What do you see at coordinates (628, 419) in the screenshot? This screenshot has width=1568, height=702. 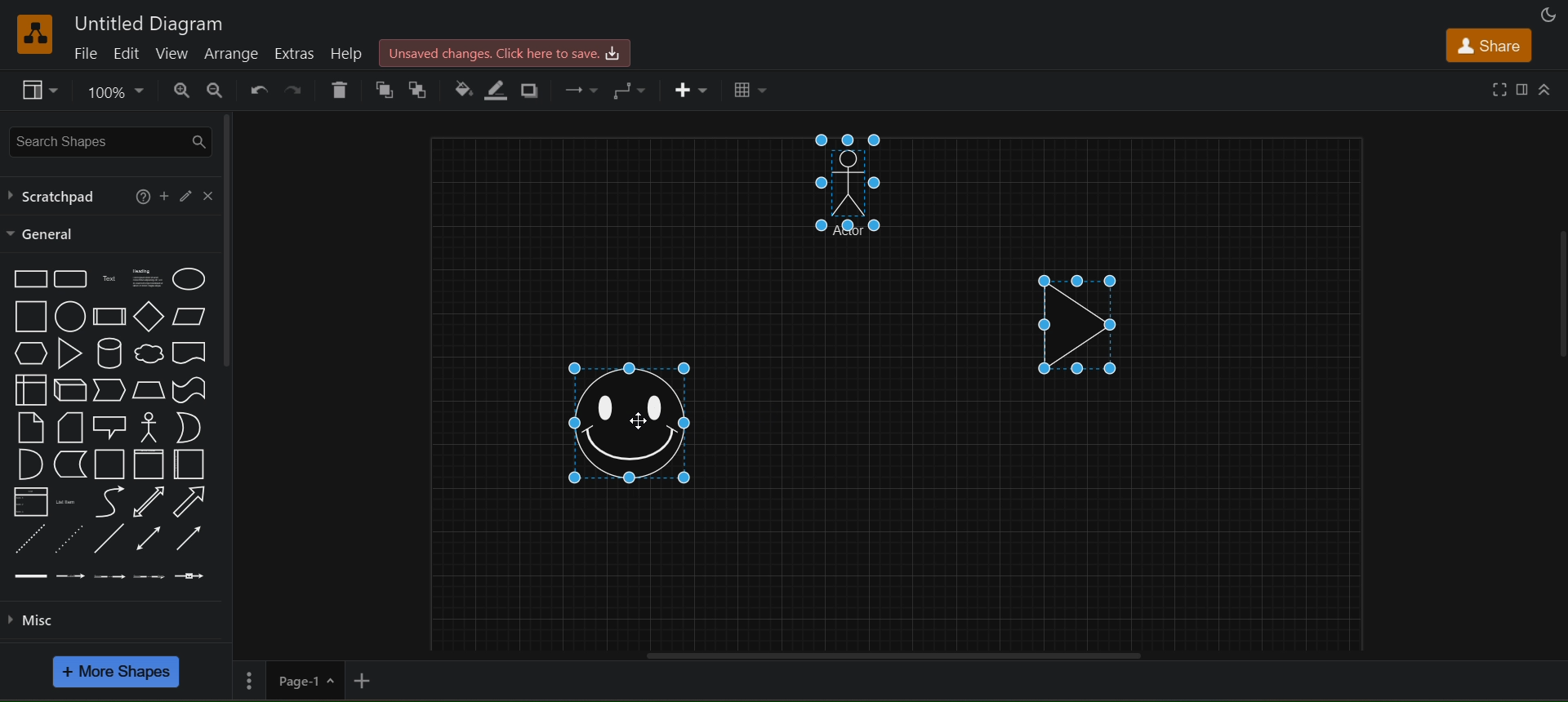 I see `smiley shape` at bounding box center [628, 419].